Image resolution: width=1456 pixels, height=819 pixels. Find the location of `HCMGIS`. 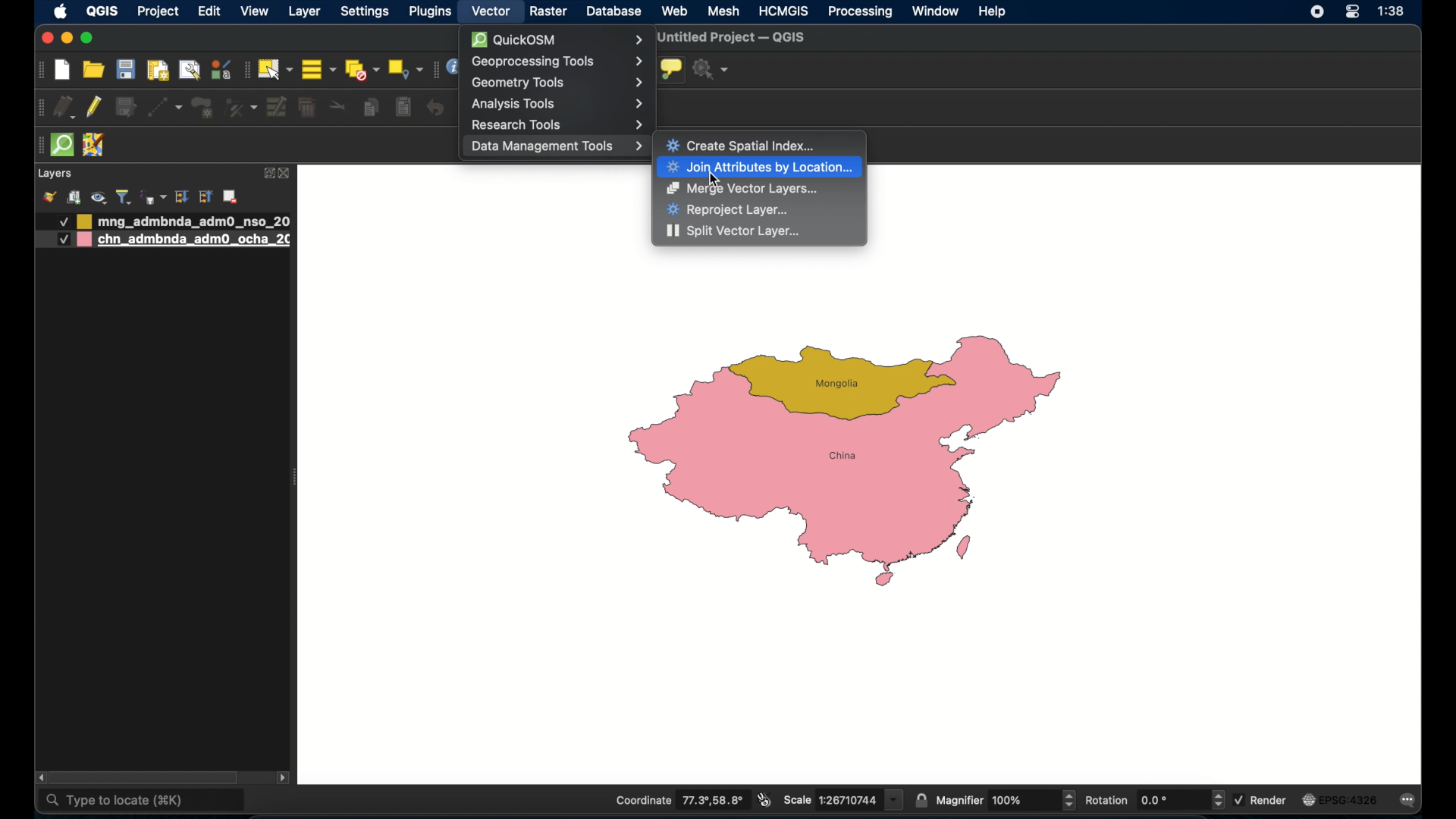

HCMGIS is located at coordinates (783, 11).